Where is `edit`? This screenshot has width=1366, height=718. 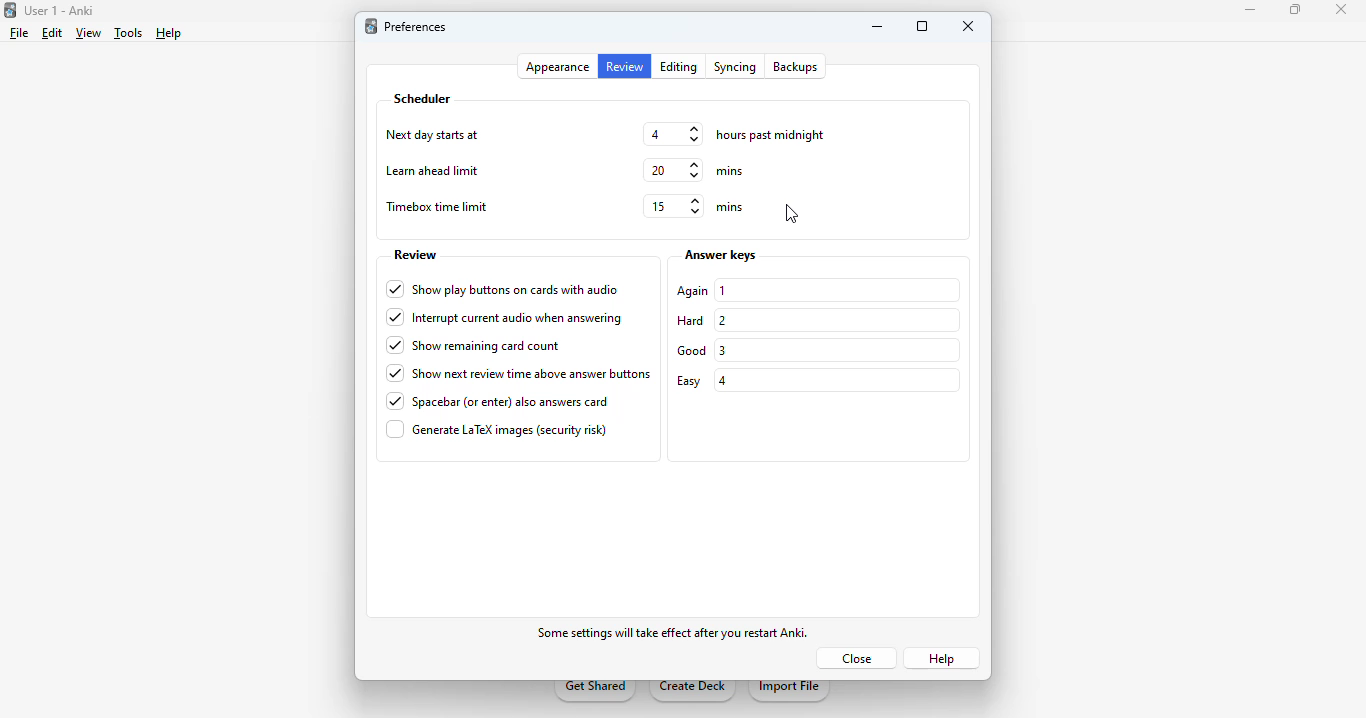 edit is located at coordinates (54, 33).